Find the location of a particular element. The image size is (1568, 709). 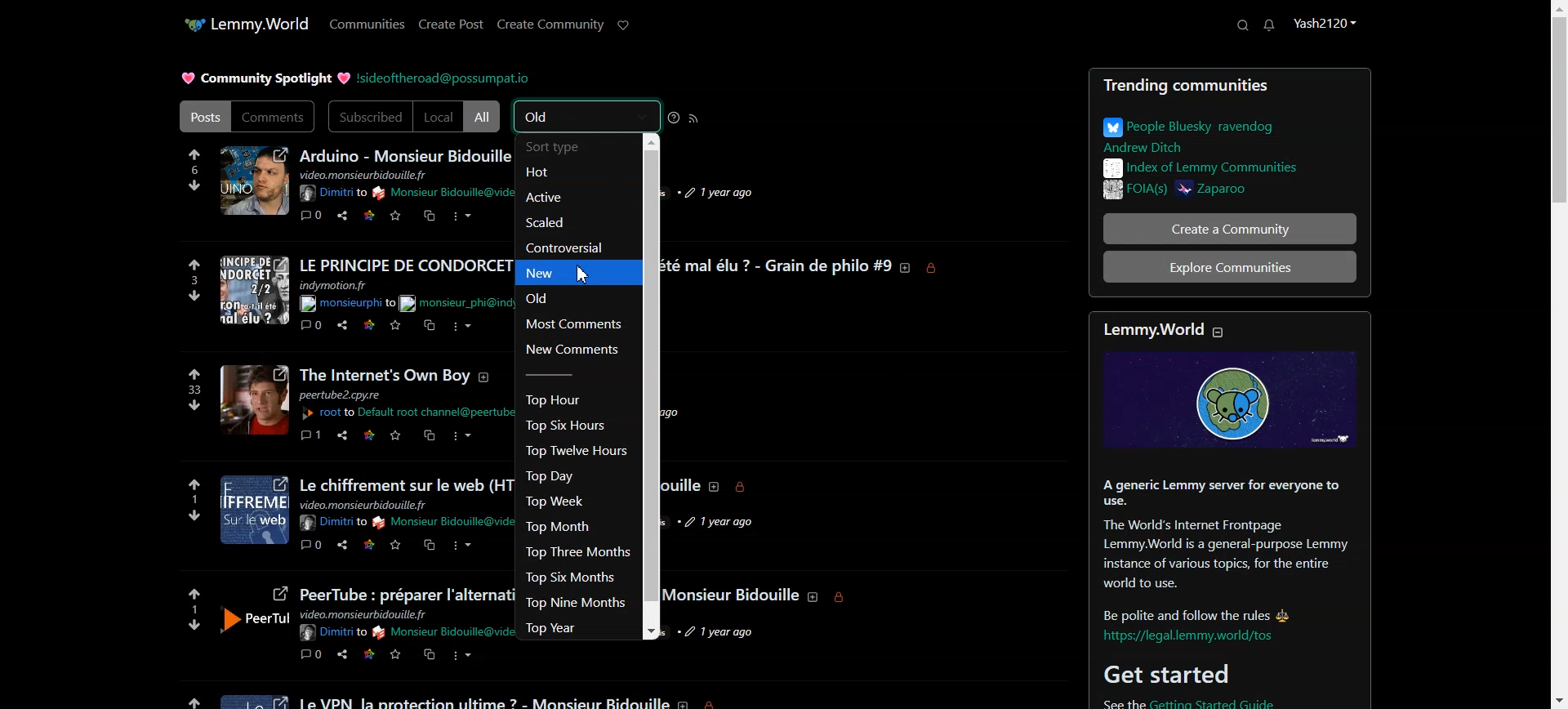

Top Year is located at coordinates (556, 628).